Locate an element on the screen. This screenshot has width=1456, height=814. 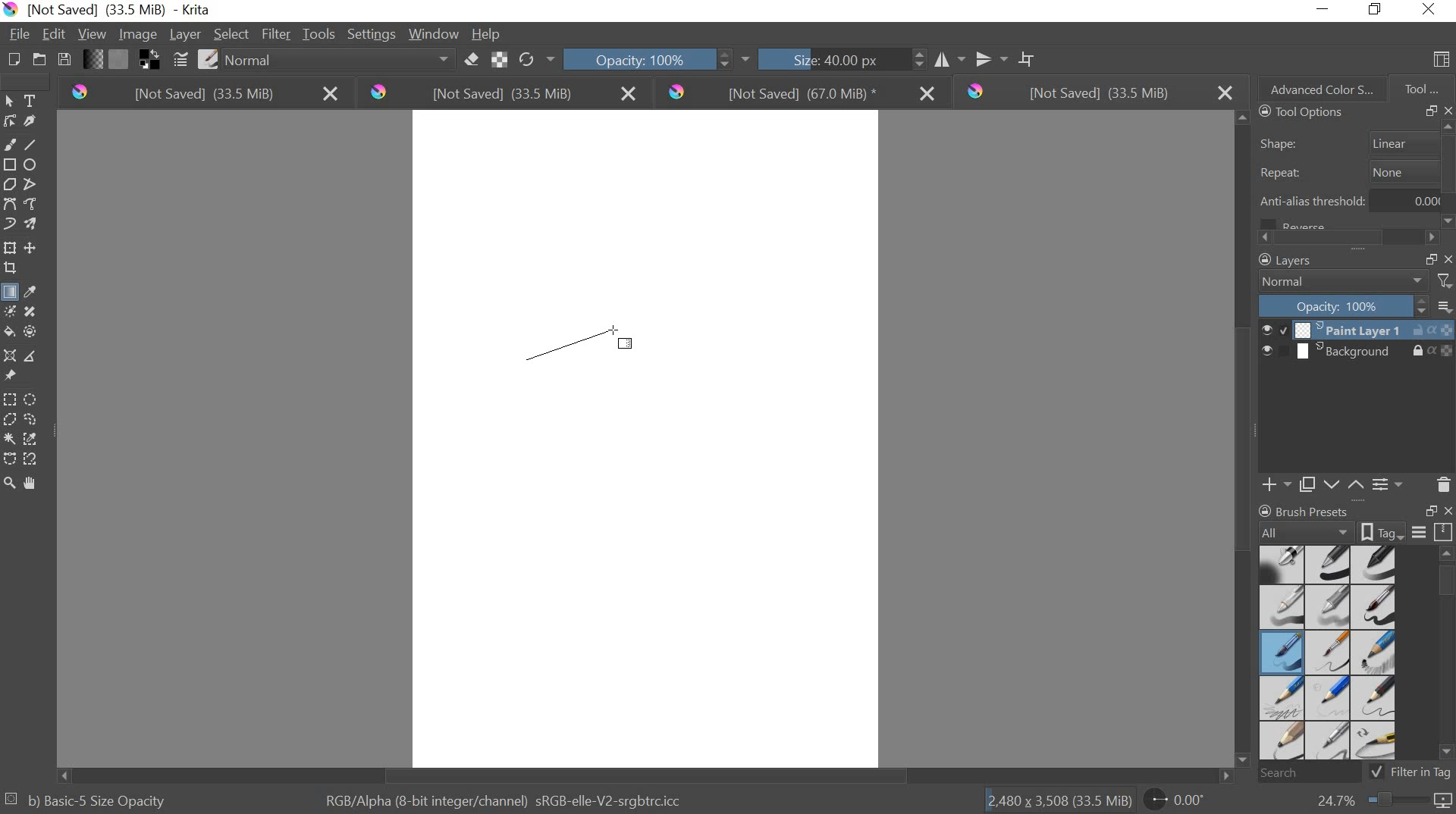
RESTORE DOWN is located at coordinates (1432, 512).